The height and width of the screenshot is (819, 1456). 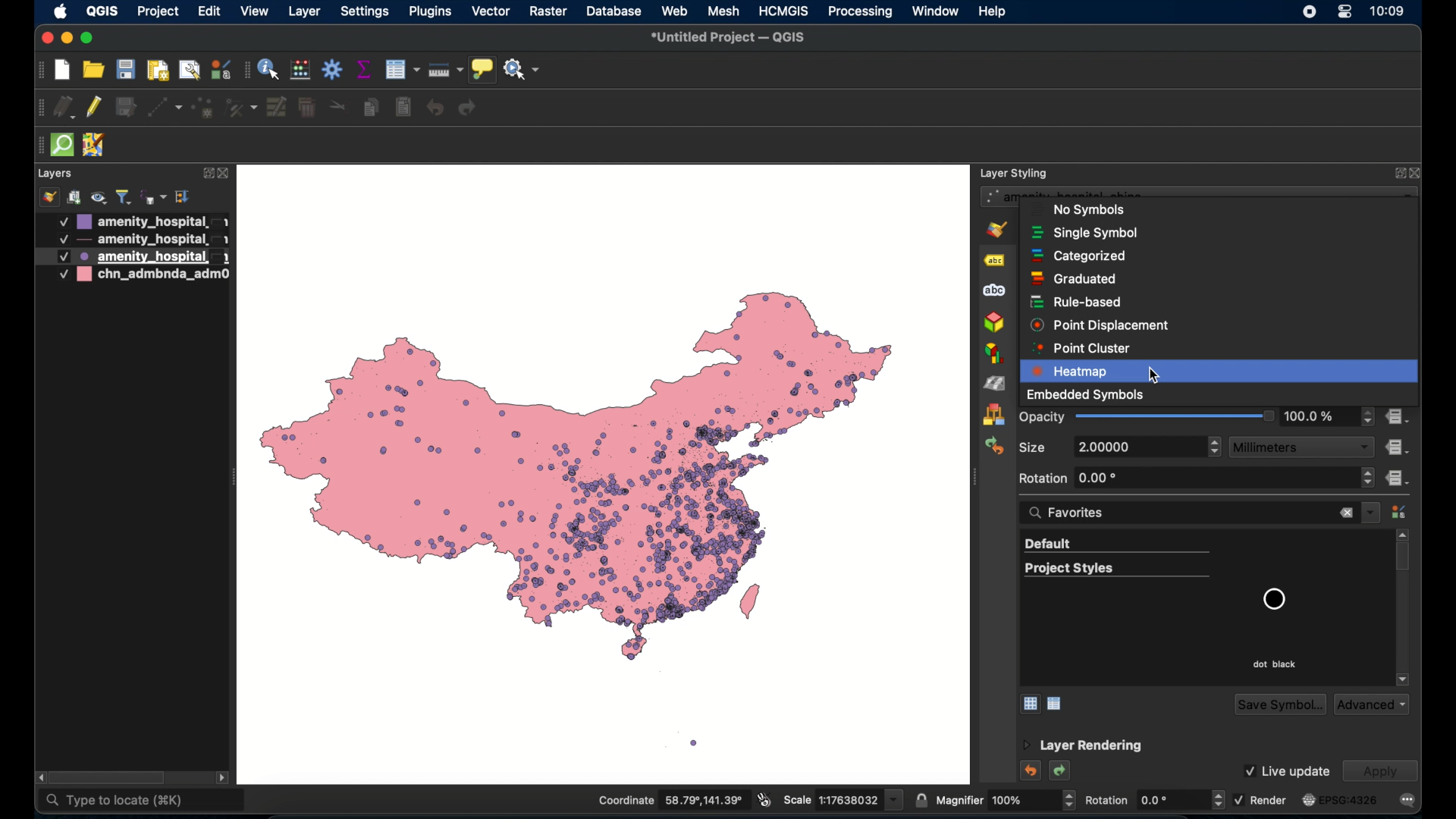 I want to click on redo, so click(x=468, y=110).